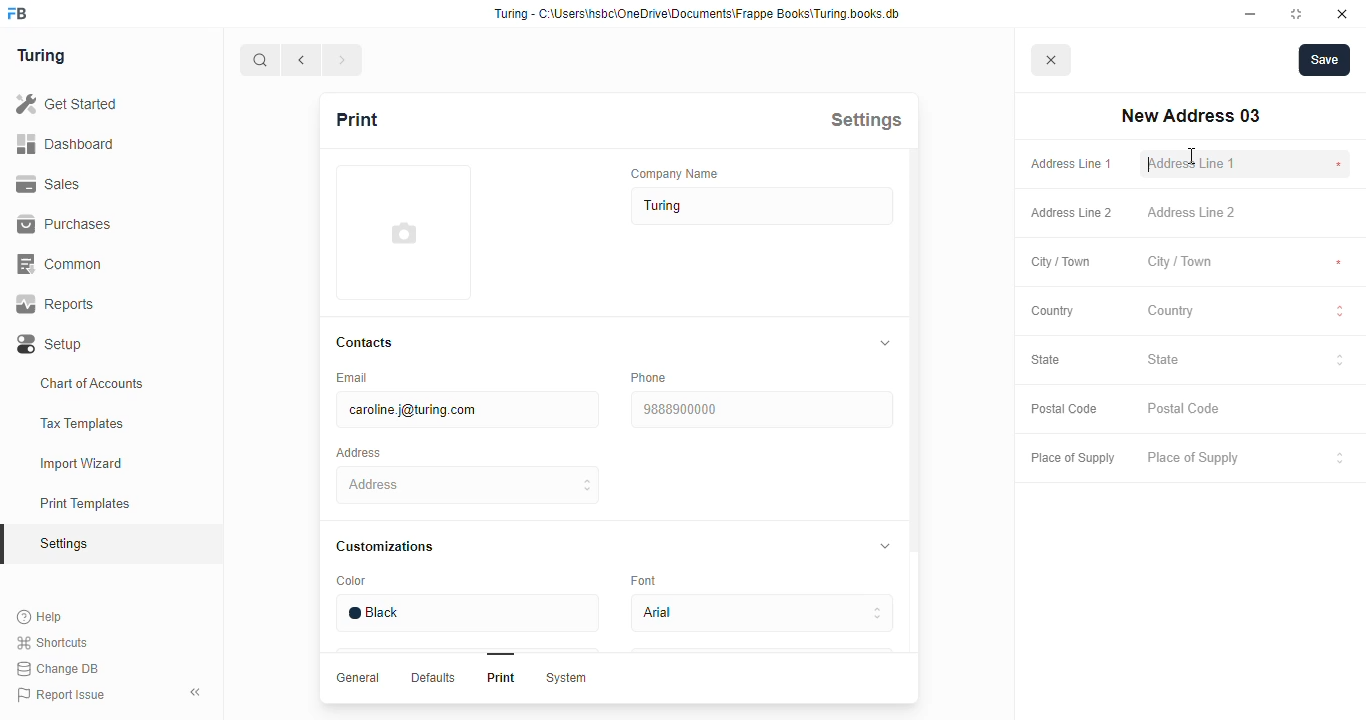 This screenshot has height=720, width=1366. What do you see at coordinates (366, 343) in the screenshot?
I see `contacts` at bounding box center [366, 343].